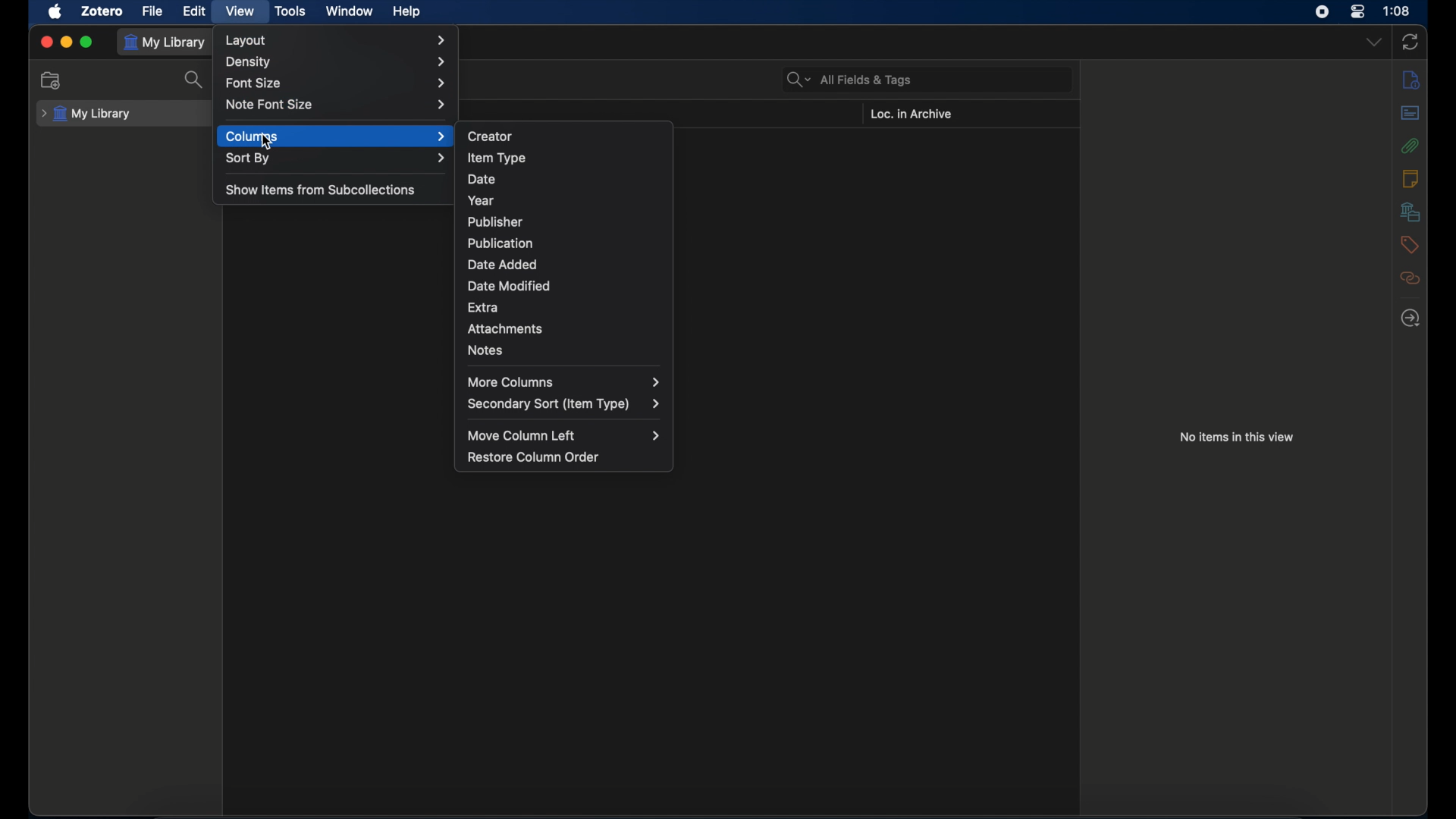  Describe the element at coordinates (1373, 42) in the screenshot. I see `dropdown` at that location.